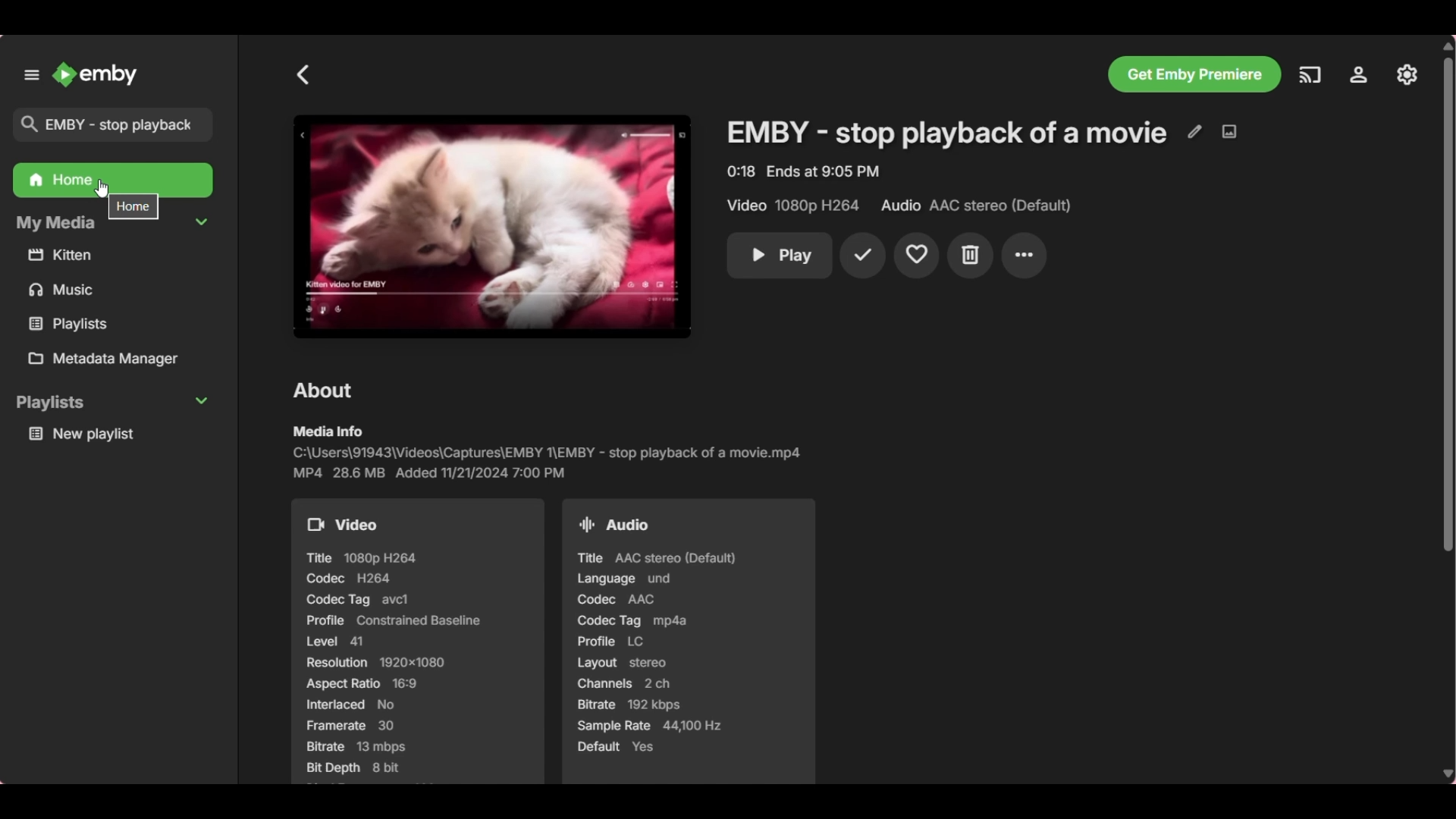  What do you see at coordinates (119, 360) in the screenshot?
I see `Metadata manager` at bounding box center [119, 360].